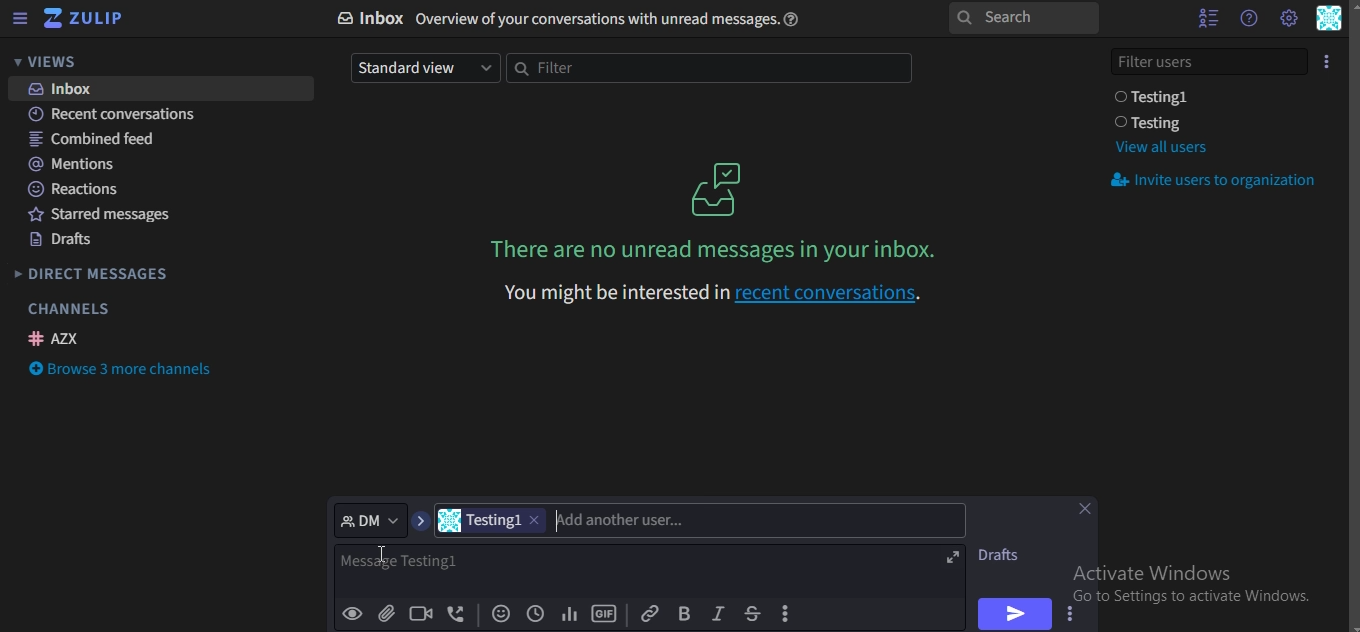  What do you see at coordinates (388, 615) in the screenshot?
I see `upload files` at bounding box center [388, 615].